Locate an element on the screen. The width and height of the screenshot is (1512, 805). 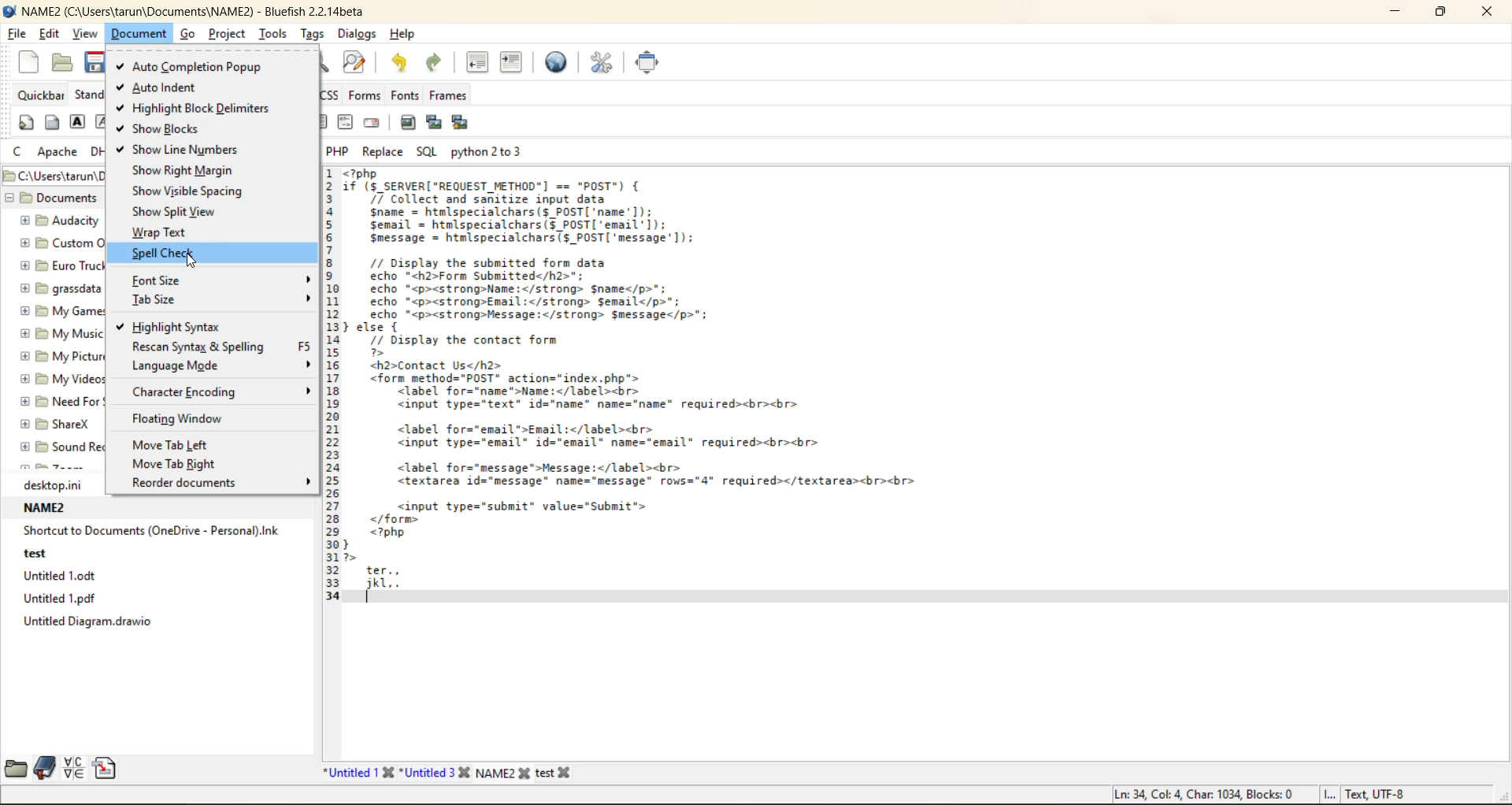
go is located at coordinates (188, 33).